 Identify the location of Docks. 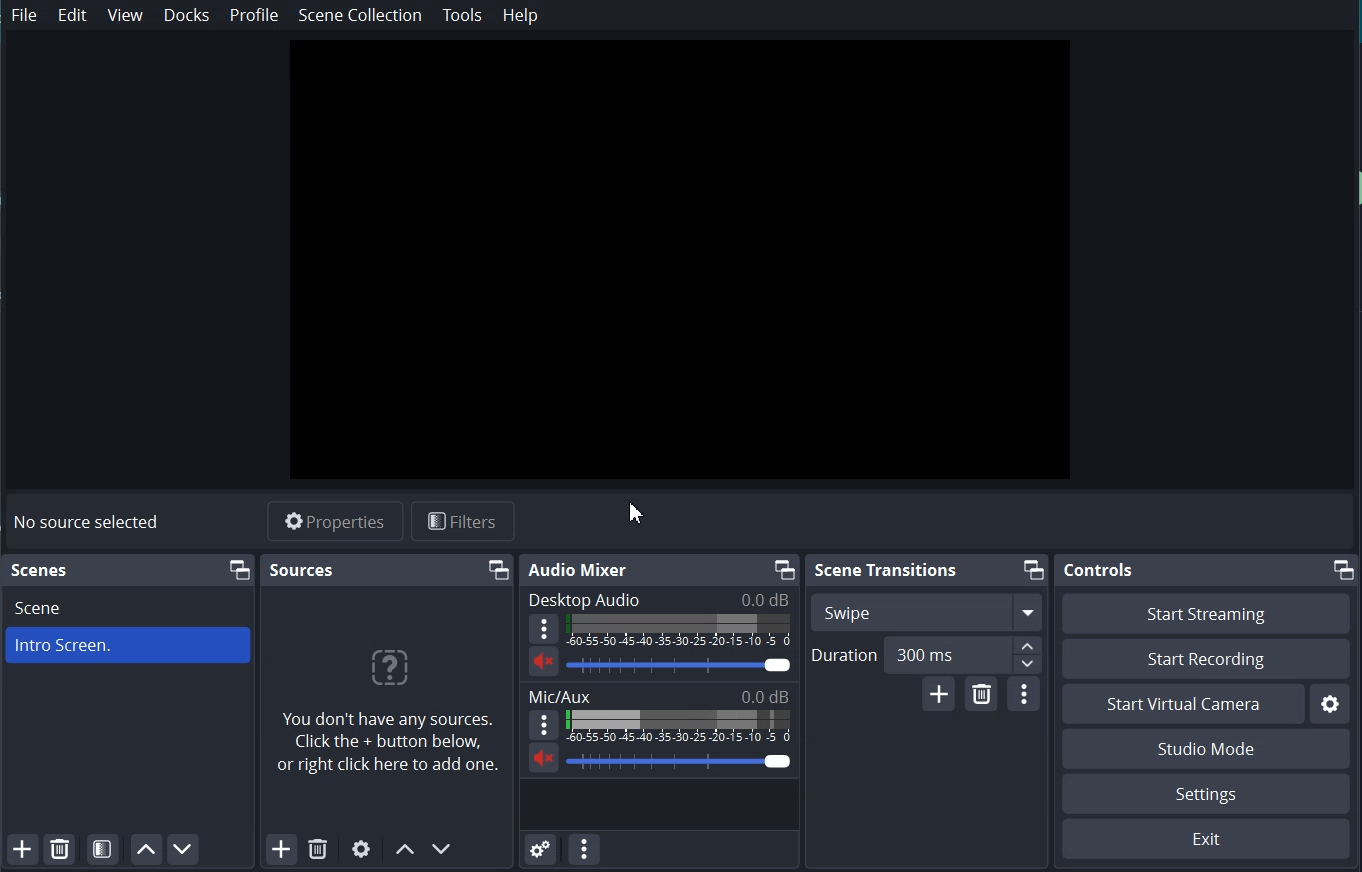
(187, 15).